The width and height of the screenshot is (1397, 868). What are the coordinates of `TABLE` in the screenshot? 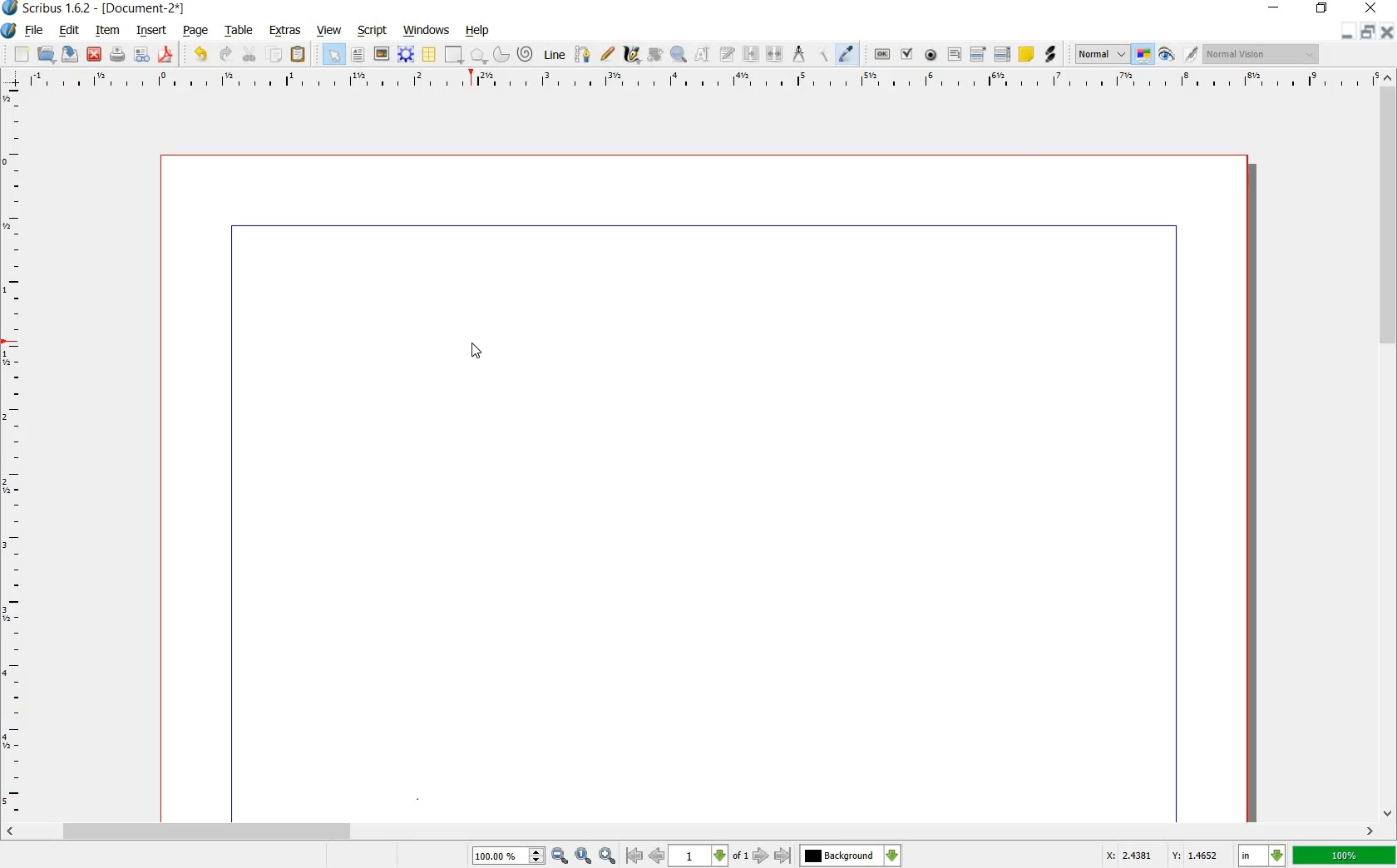 It's located at (240, 32).